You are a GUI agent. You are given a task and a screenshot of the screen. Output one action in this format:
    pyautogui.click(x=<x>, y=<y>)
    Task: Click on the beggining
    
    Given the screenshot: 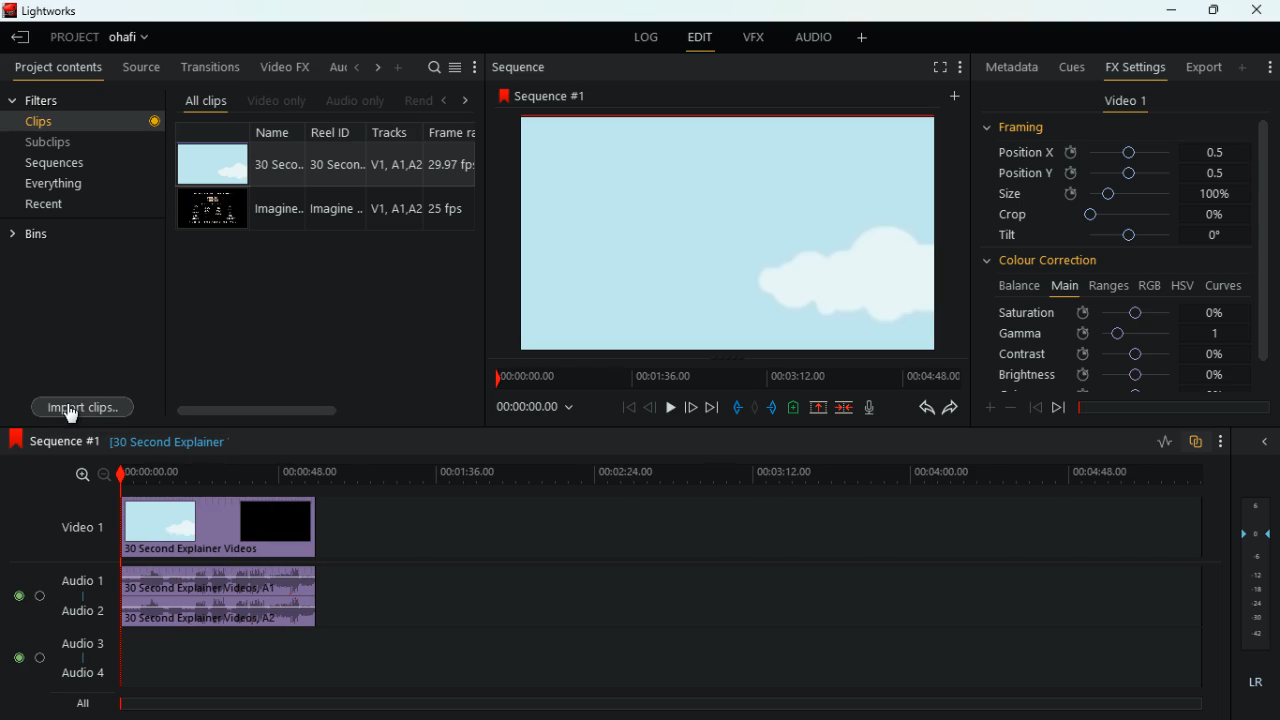 What is the action you would take?
    pyautogui.click(x=622, y=409)
    